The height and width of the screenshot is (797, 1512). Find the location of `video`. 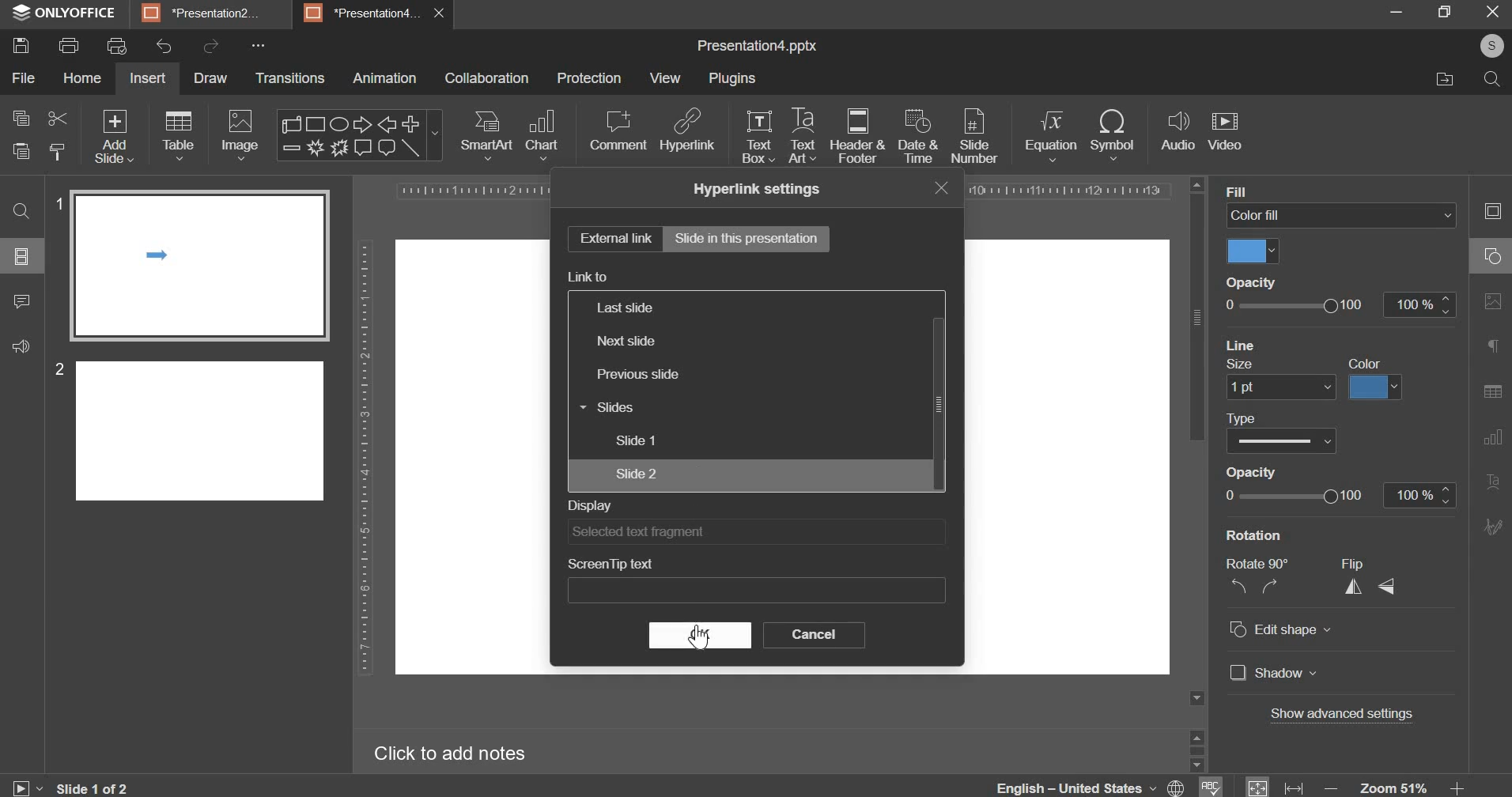

video is located at coordinates (1225, 130).